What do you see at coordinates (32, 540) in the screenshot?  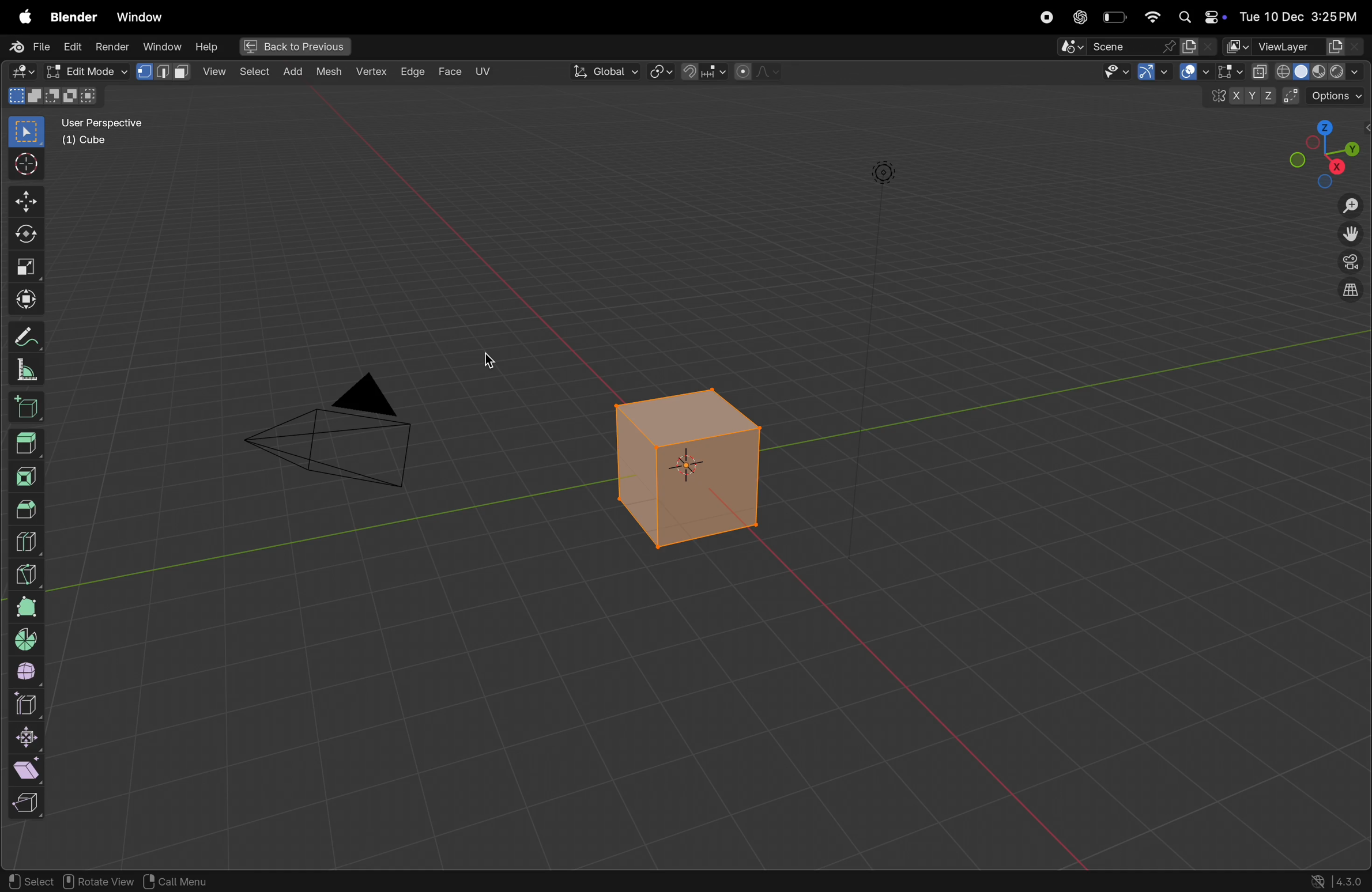 I see `loop cut` at bounding box center [32, 540].